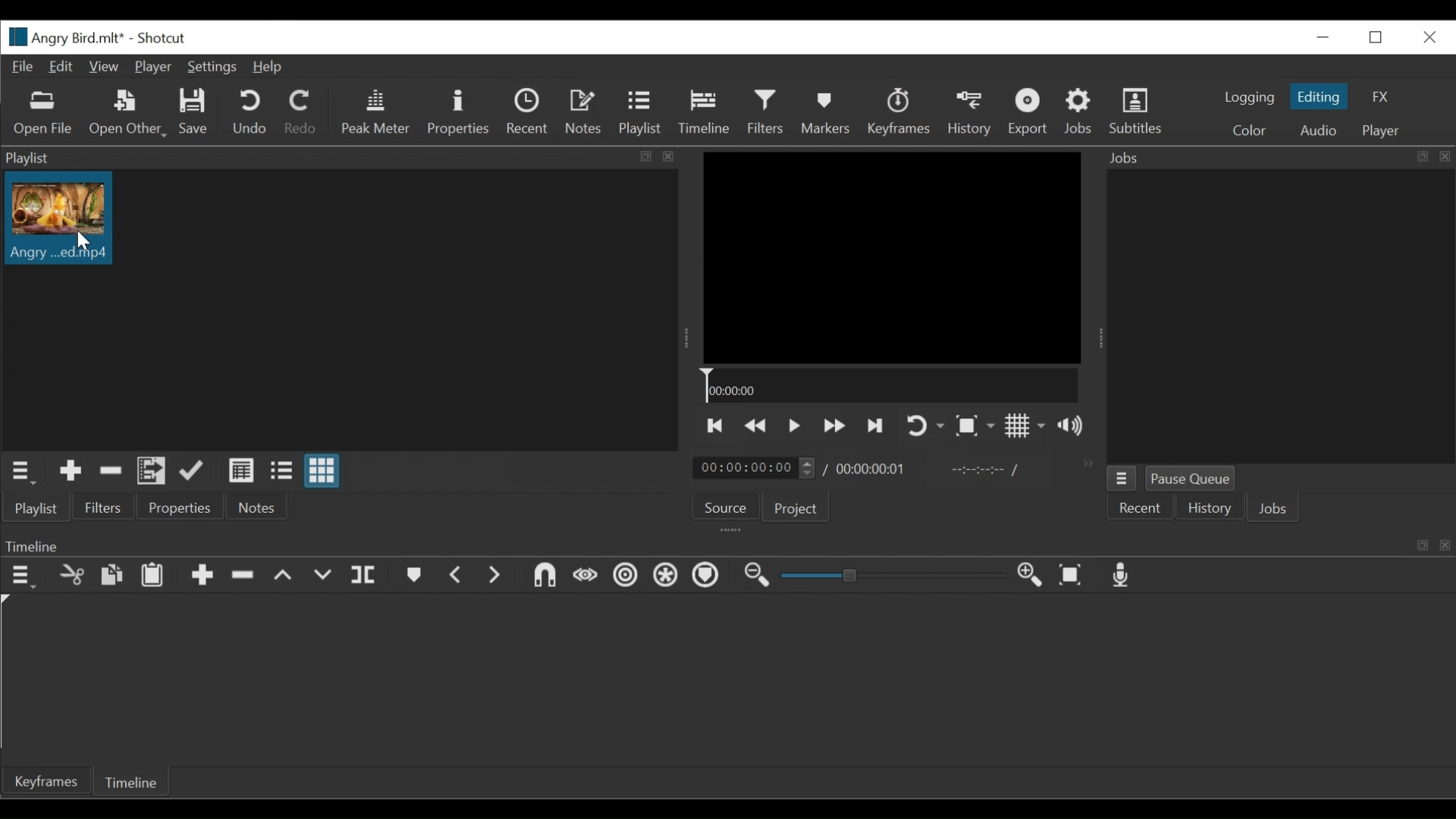 The width and height of the screenshot is (1456, 819). What do you see at coordinates (1384, 97) in the screenshot?
I see `FX` at bounding box center [1384, 97].